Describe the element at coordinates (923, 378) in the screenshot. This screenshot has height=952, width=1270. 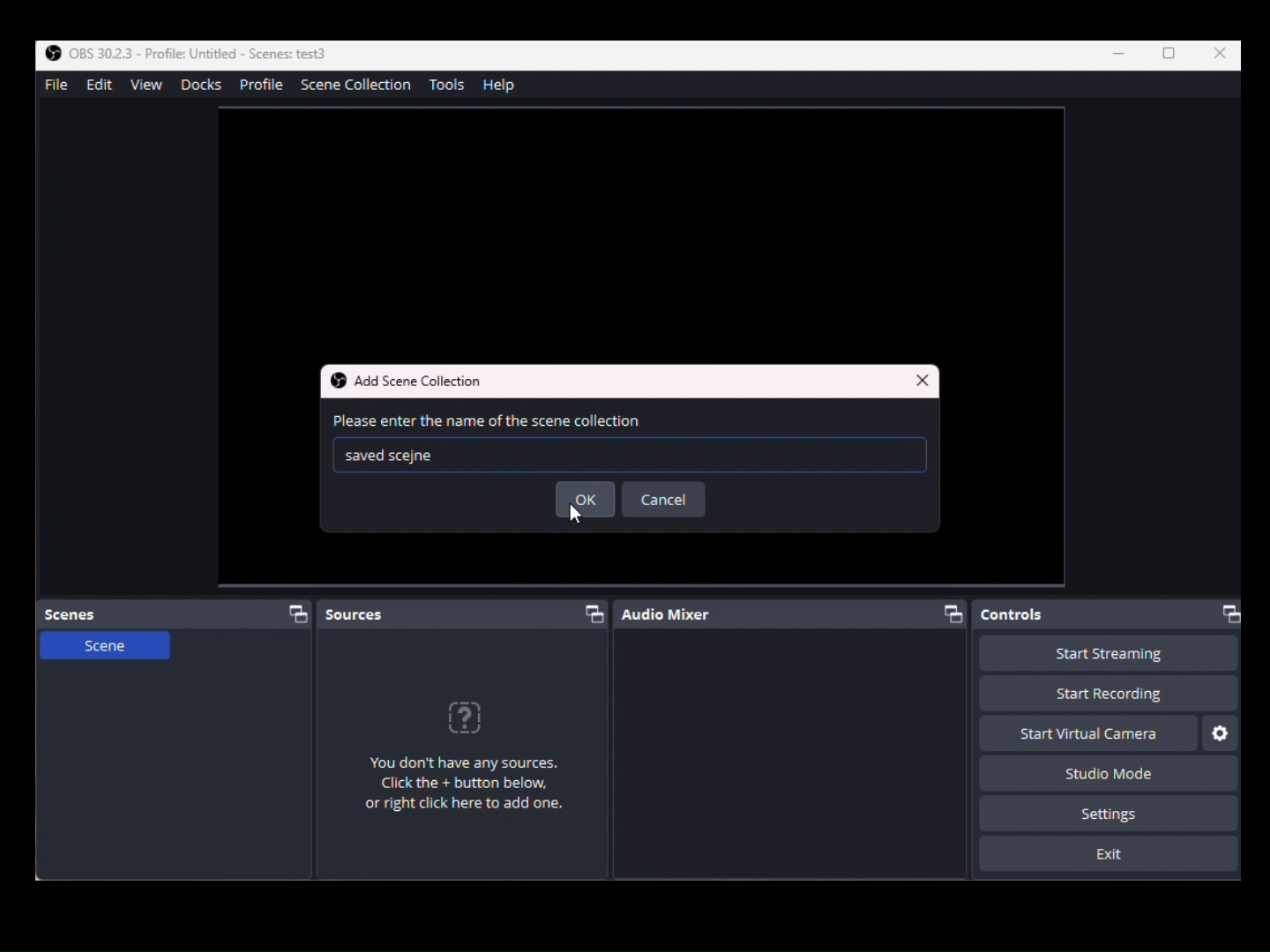
I see `Close` at that location.